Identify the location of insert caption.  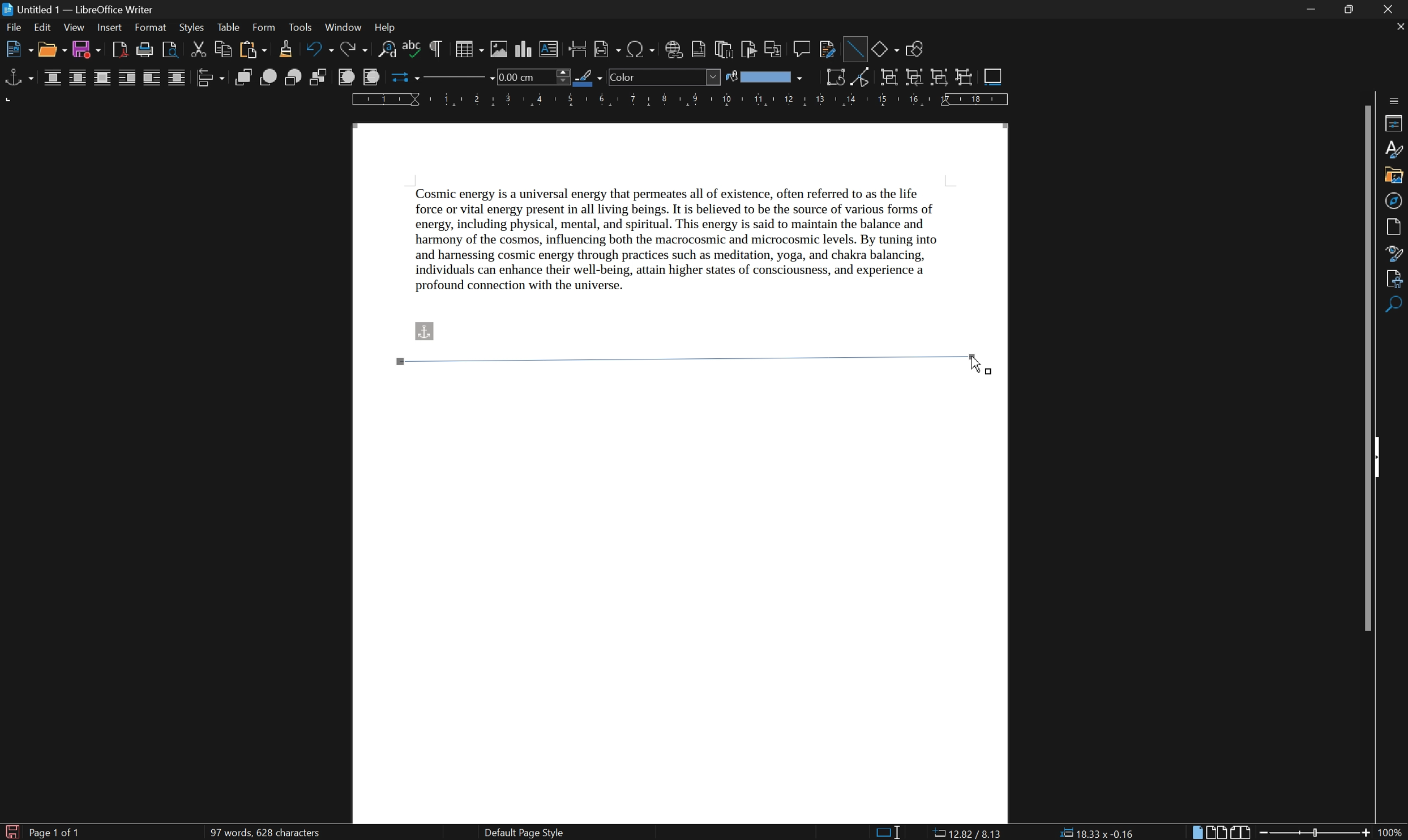
(993, 76).